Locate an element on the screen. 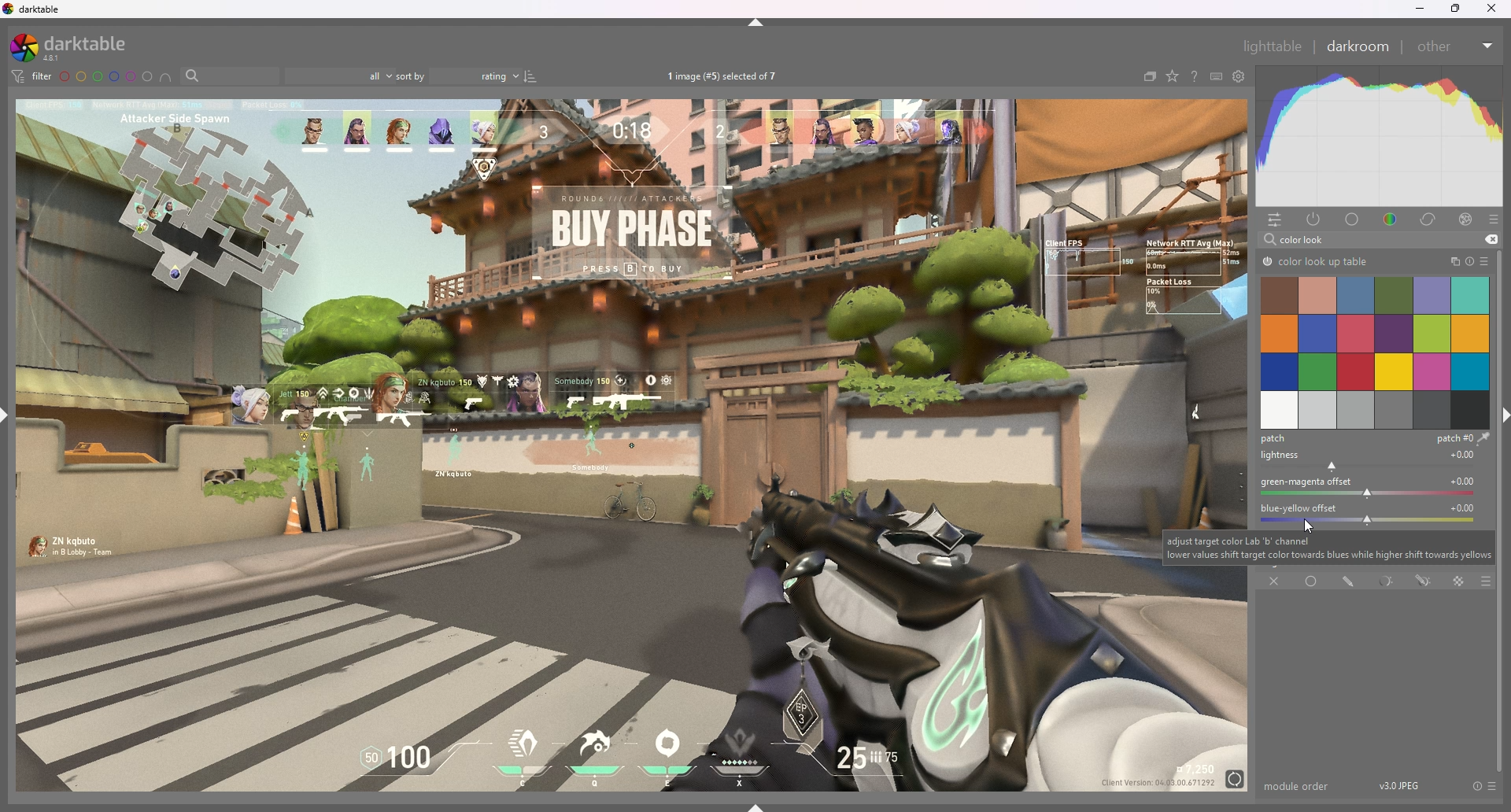 This screenshot has height=812, width=1511. quick access panel is located at coordinates (1274, 221).